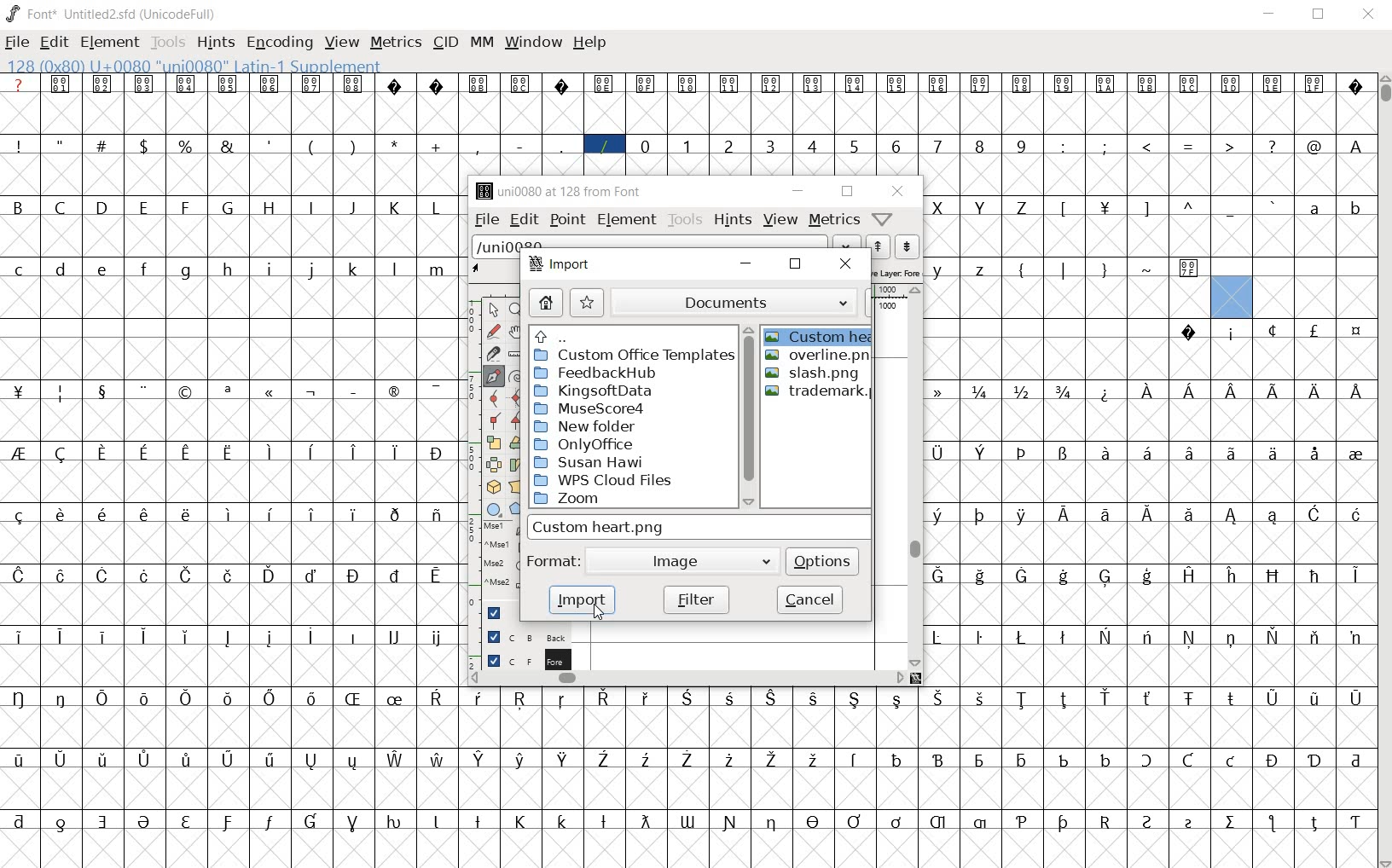 This screenshot has width=1392, height=868. What do you see at coordinates (396, 41) in the screenshot?
I see `METRICS` at bounding box center [396, 41].